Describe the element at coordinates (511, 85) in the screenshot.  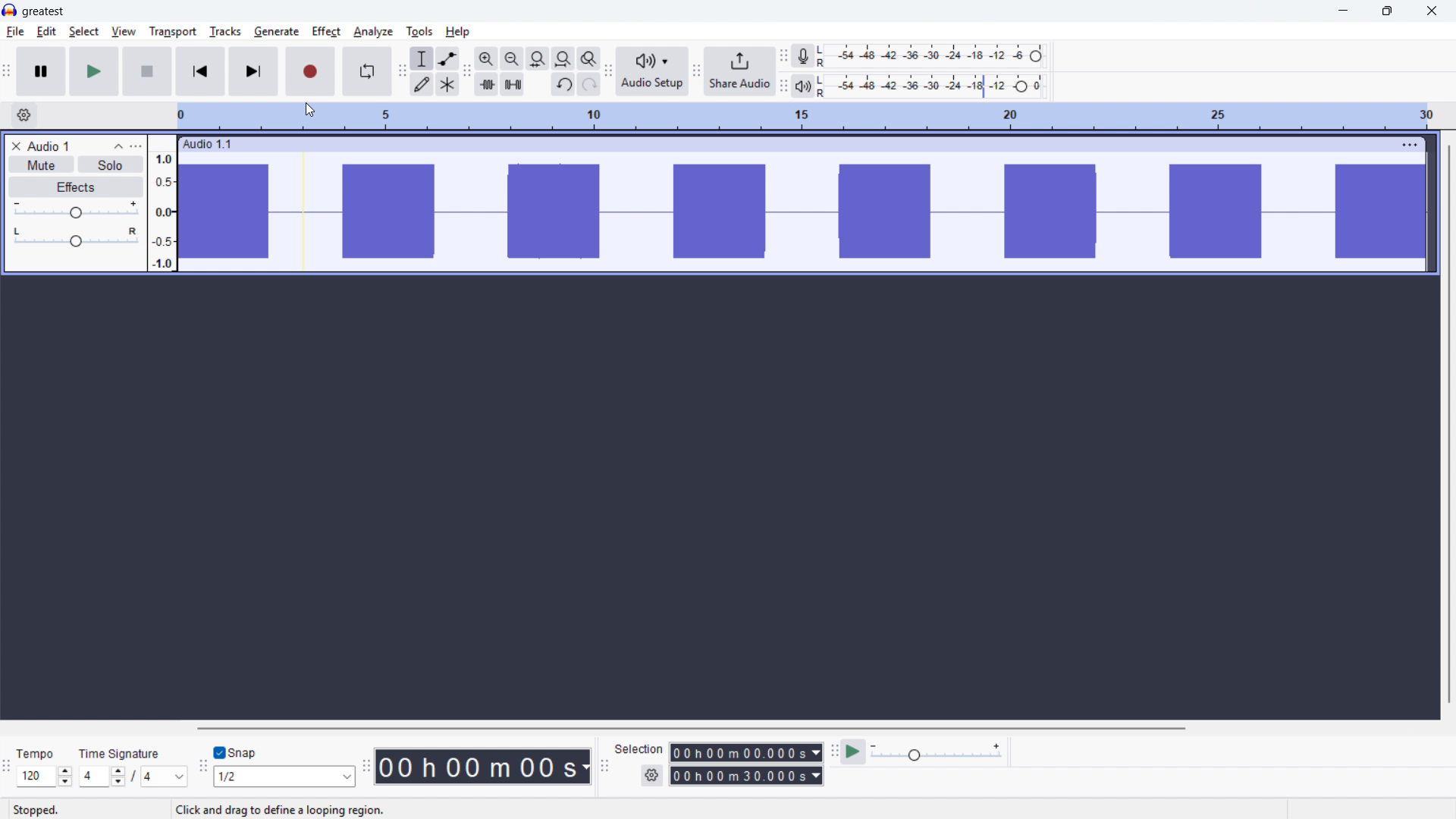
I see `silence audio outside selection` at that location.